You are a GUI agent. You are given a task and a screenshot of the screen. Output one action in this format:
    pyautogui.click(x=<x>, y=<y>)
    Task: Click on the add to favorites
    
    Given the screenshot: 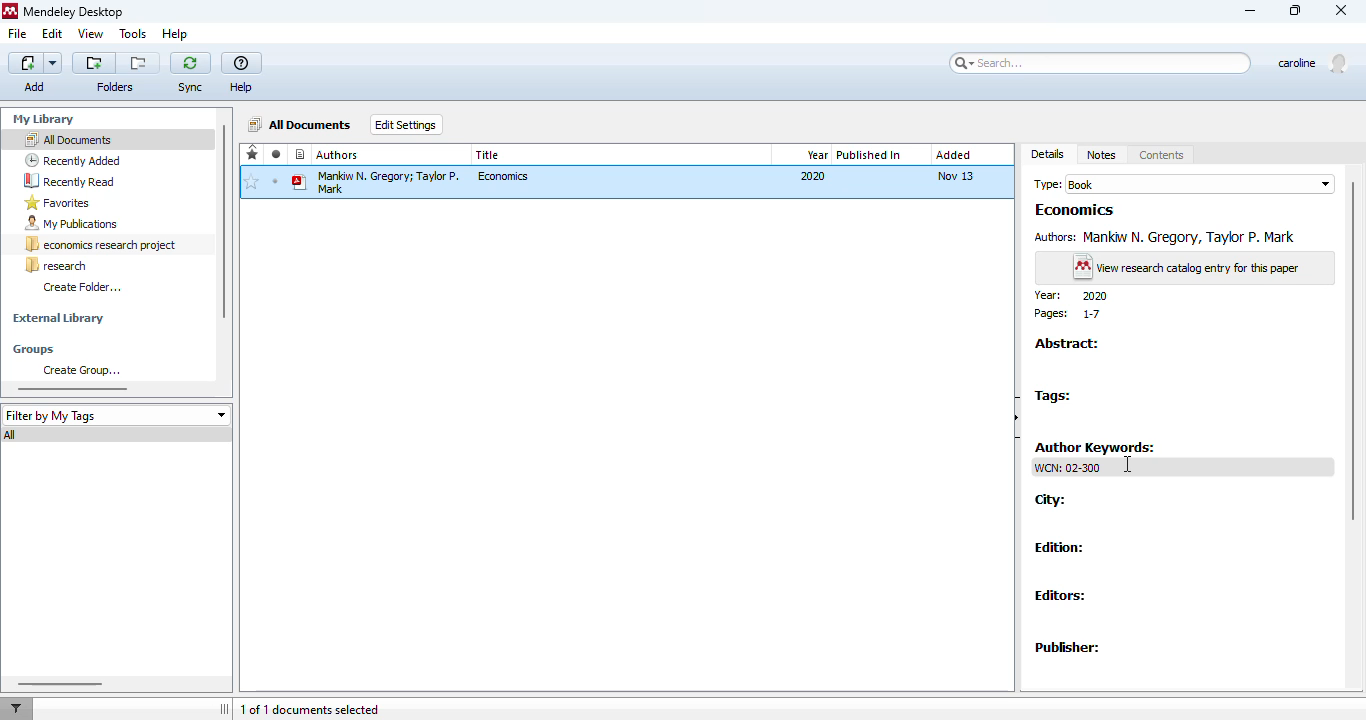 What is the action you would take?
    pyautogui.click(x=253, y=183)
    